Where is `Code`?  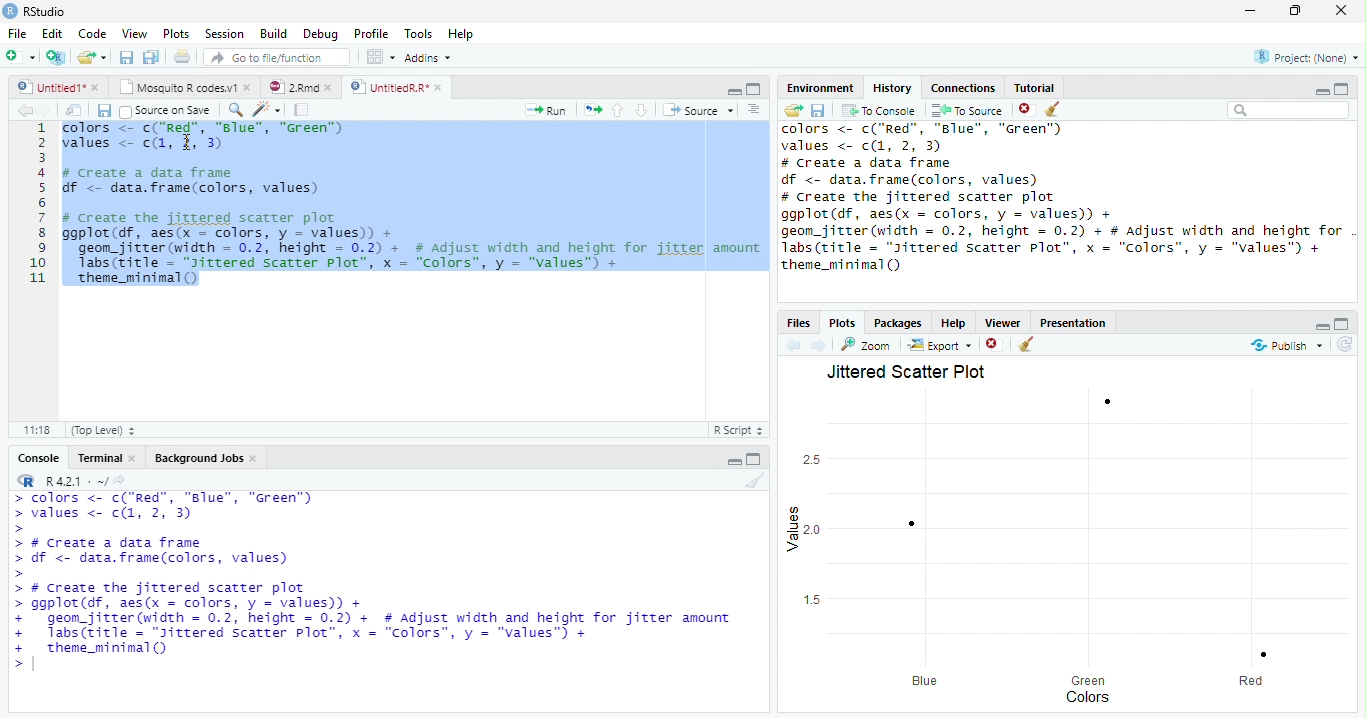 Code is located at coordinates (92, 33).